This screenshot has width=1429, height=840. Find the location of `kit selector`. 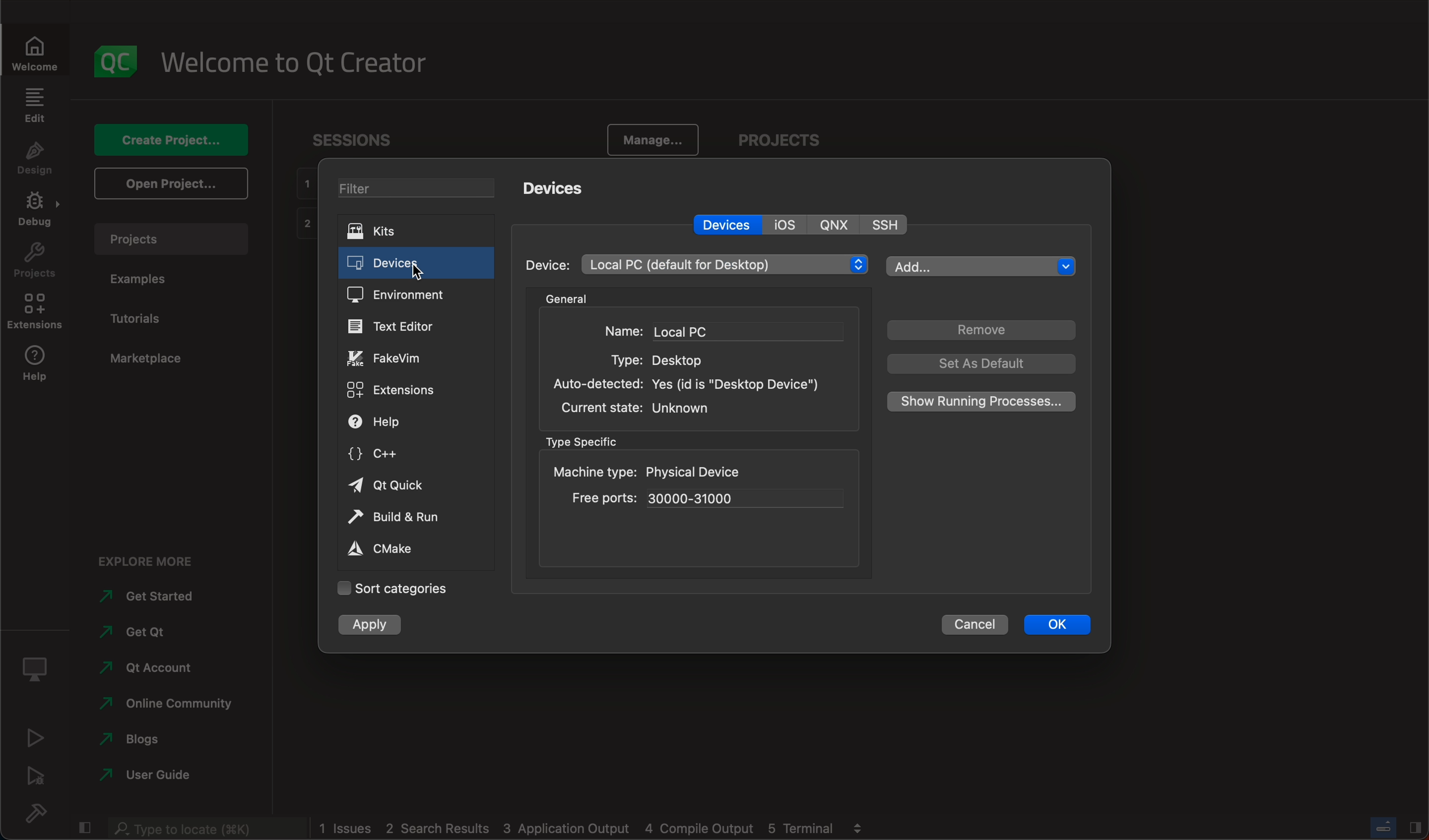

kit selector is located at coordinates (35, 673).